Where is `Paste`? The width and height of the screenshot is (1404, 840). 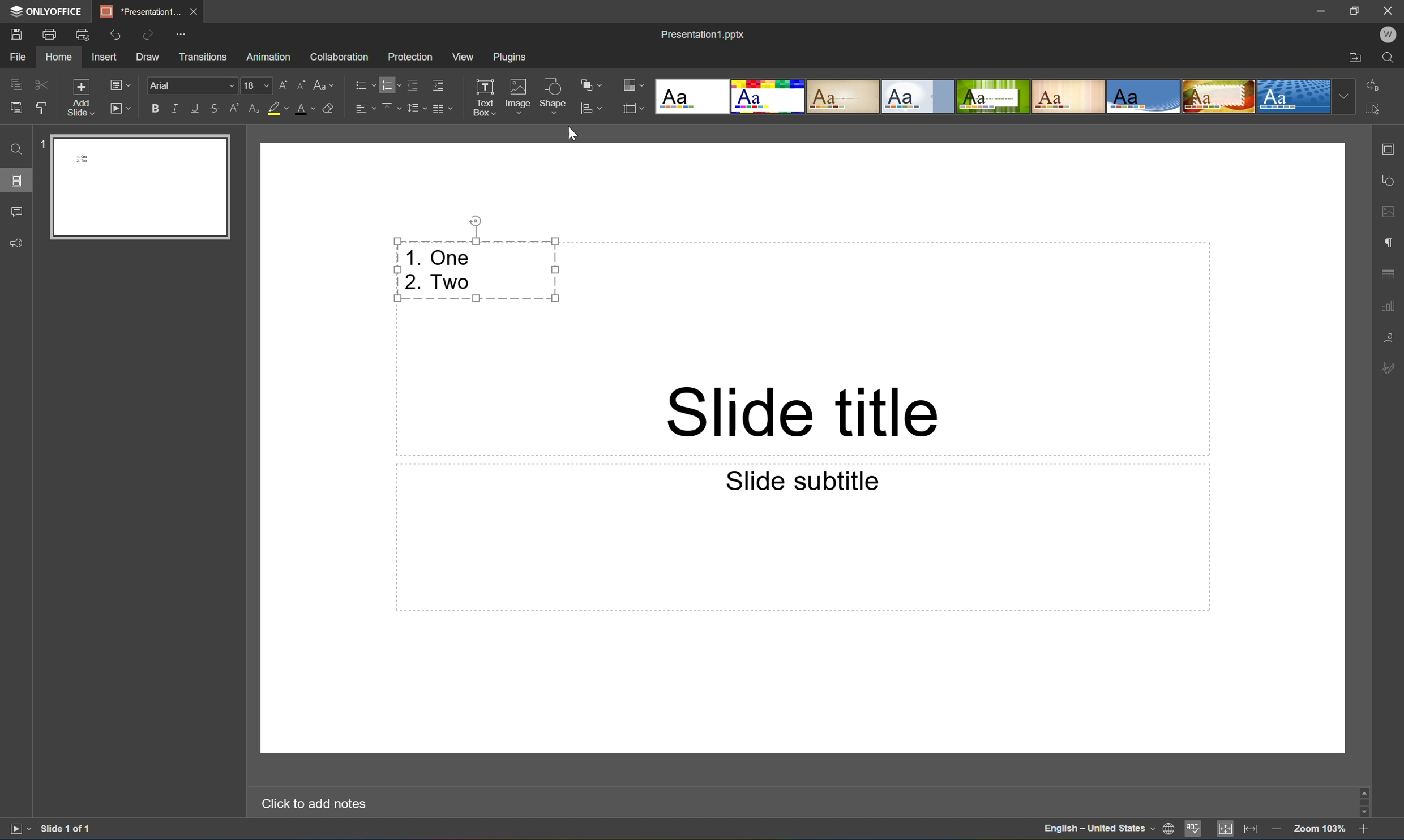
Paste is located at coordinates (16, 108).